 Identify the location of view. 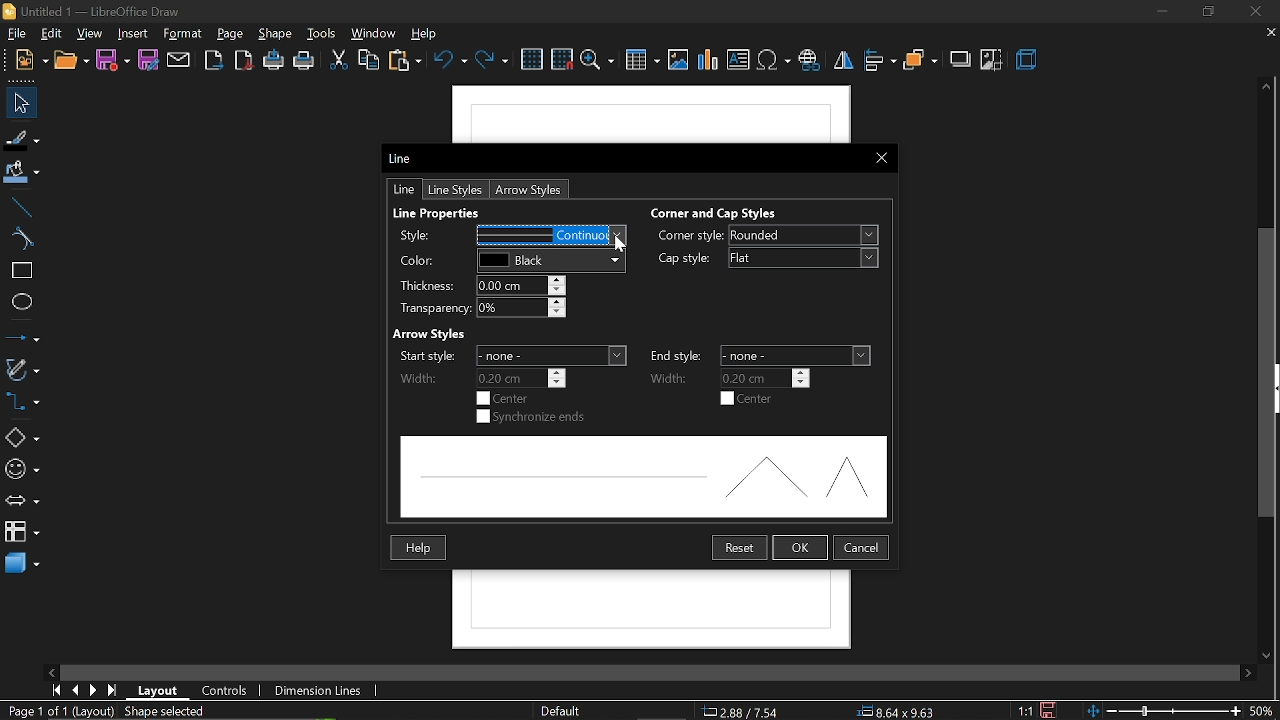
(88, 34).